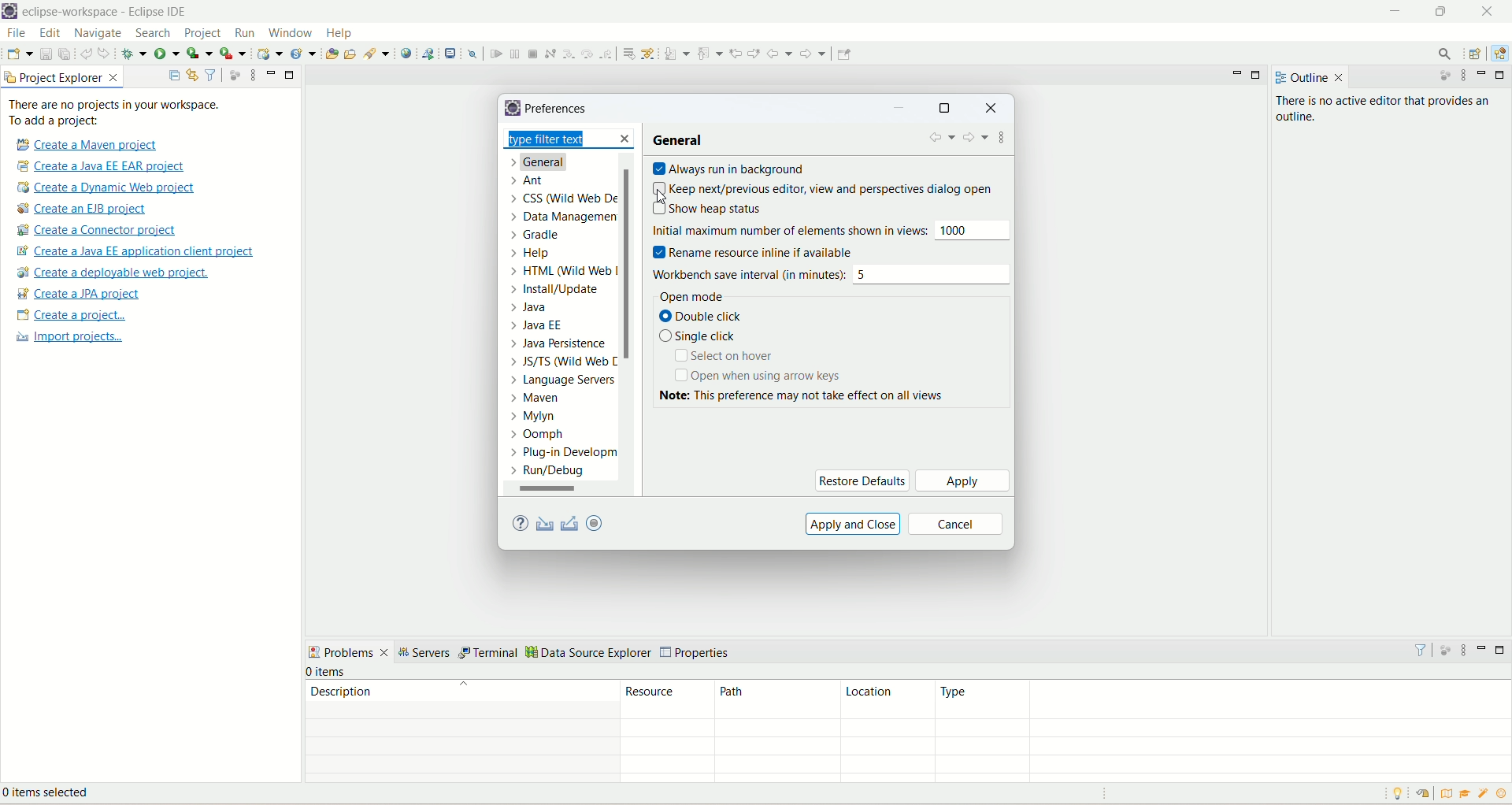  I want to click on import, so click(547, 523).